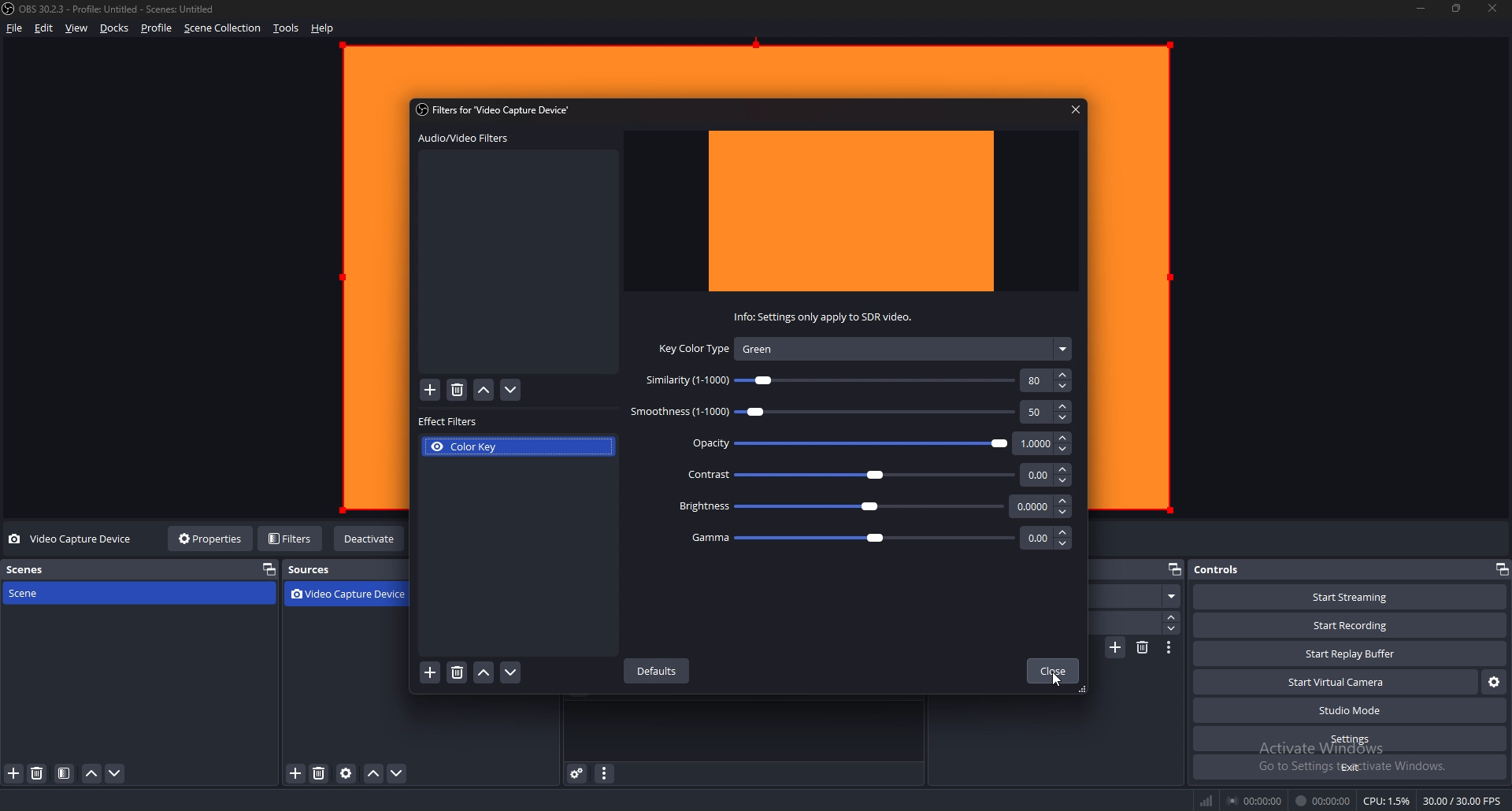 This screenshot has width=1512, height=811. What do you see at coordinates (578, 773) in the screenshot?
I see `audio mixer settings` at bounding box center [578, 773].